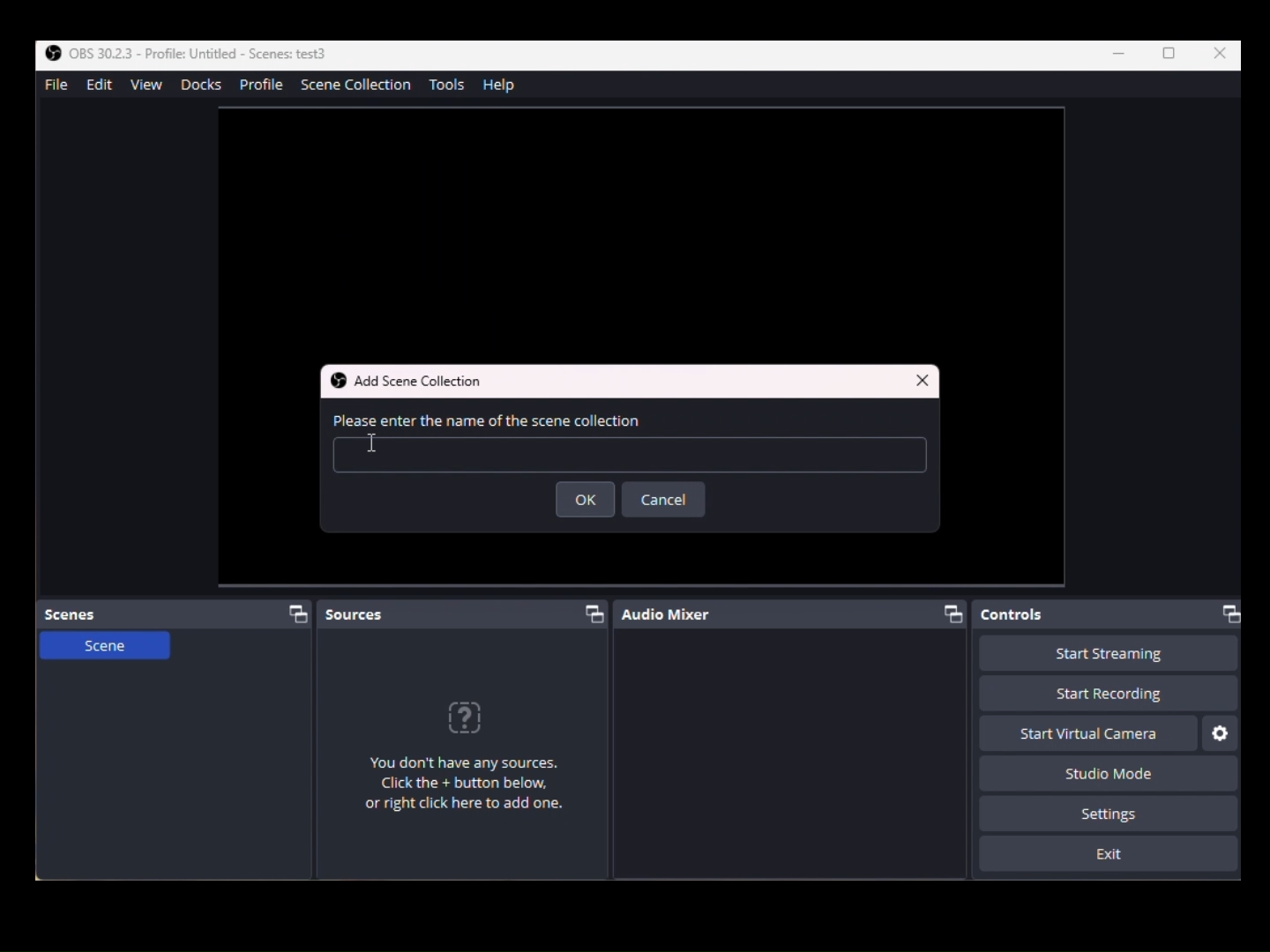 This screenshot has height=952, width=1270. What do you see at coordinates (178, 614) in the screenshot?
I see `Scenes` at bounding box center [178, 614].